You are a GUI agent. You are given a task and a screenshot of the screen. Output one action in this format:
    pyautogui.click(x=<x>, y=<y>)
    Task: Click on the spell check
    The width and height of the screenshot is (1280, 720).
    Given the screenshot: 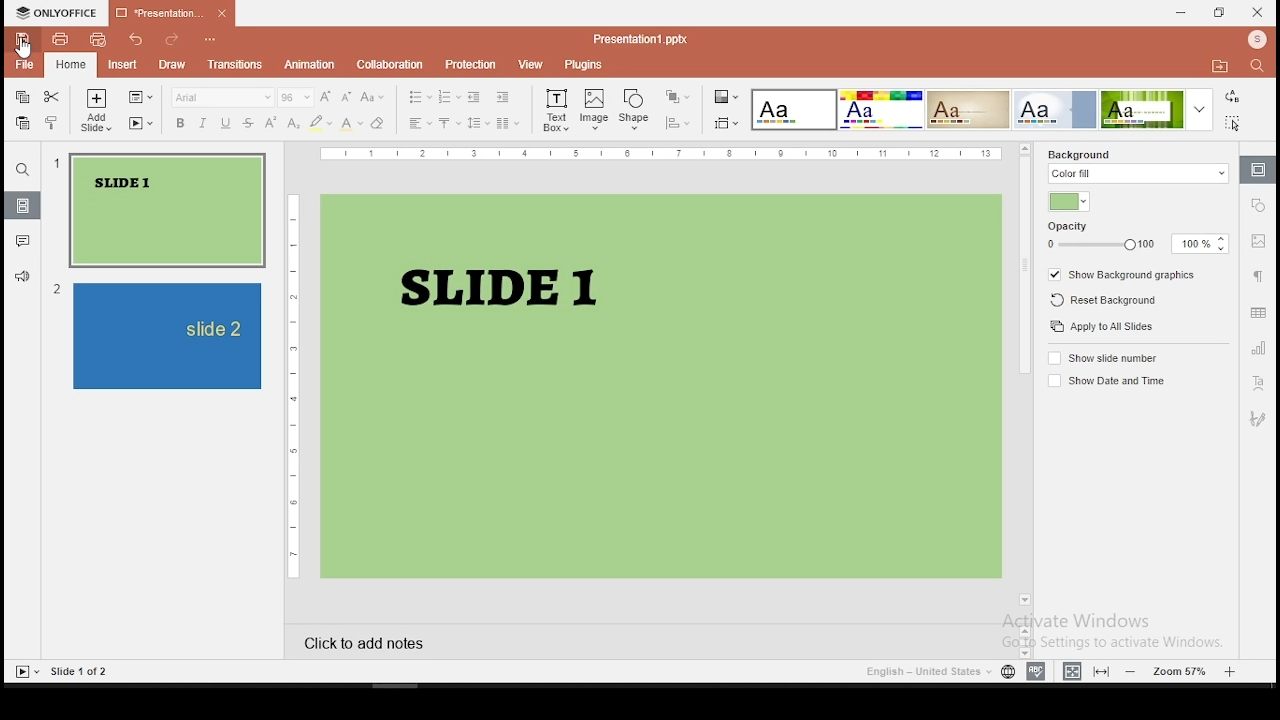 What is the action you would take?
    pyautogui.click(x=1036, y=669)
    